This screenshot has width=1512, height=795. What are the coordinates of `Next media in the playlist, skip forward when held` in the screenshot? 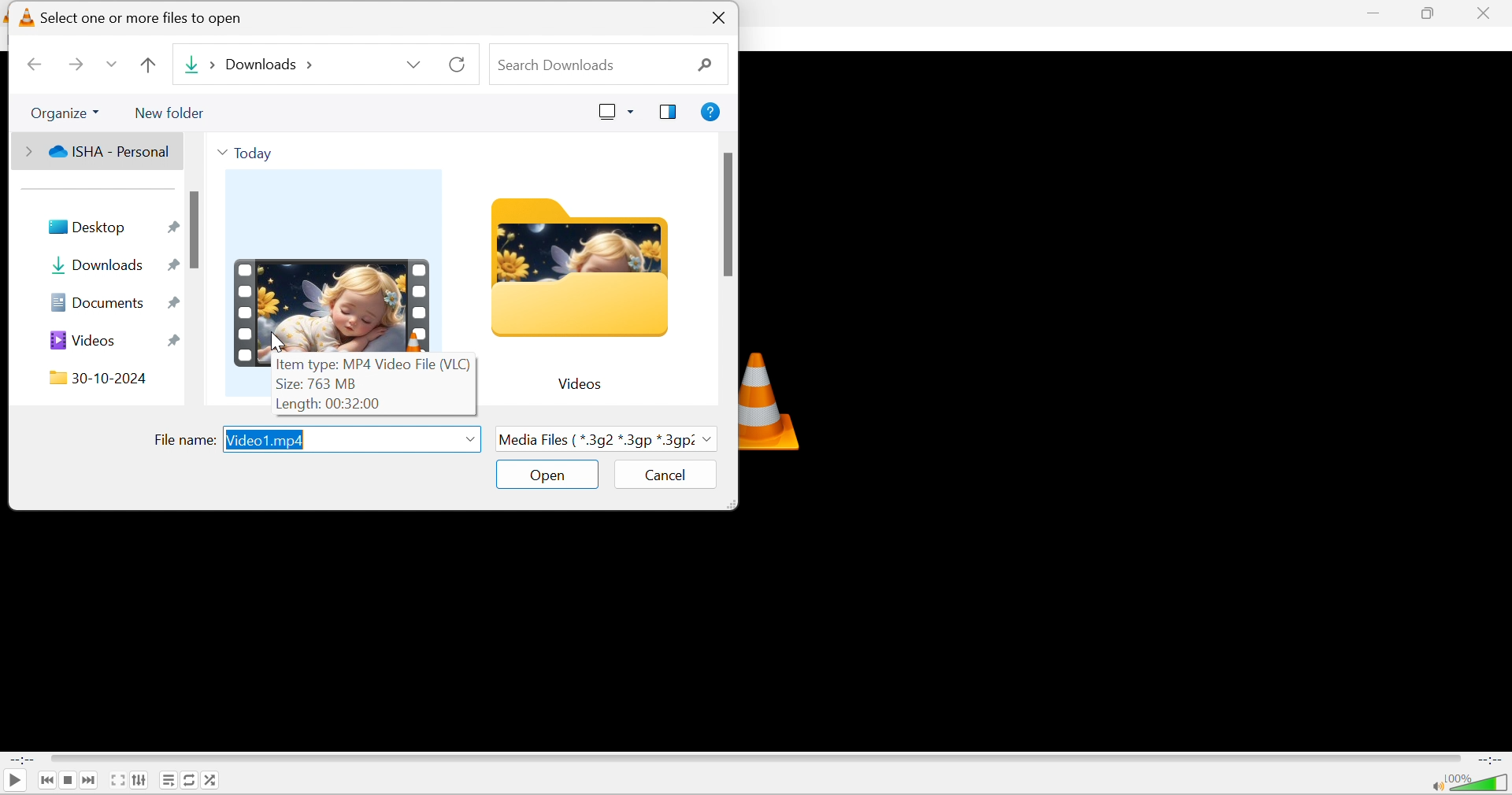 It's located at (90, 779).